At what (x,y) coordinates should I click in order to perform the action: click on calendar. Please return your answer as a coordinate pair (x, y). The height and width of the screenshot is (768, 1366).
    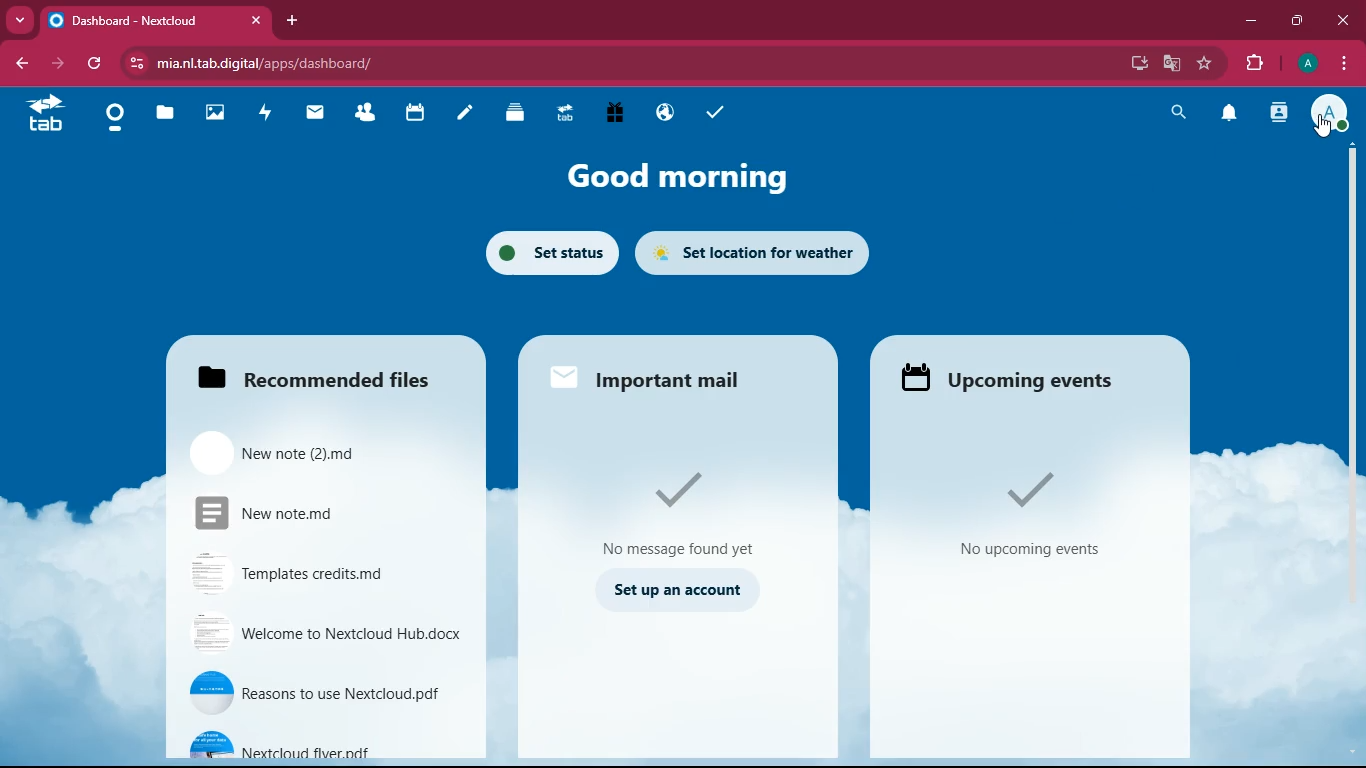
    Looking at the image, I should click on (419, 114).